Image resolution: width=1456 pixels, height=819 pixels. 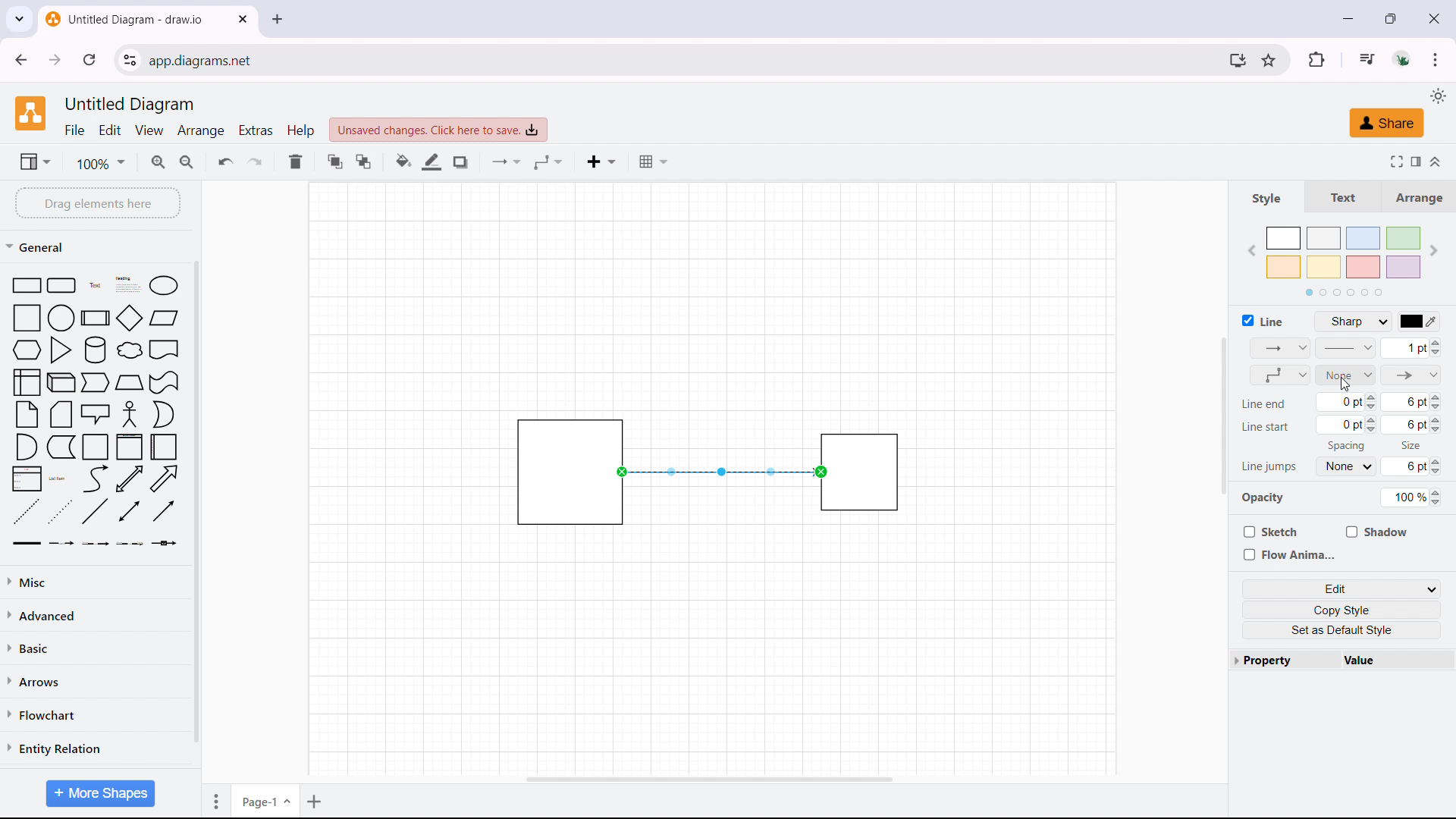 What do you see at coordinates (1268, 60) in the screenshot?
I see `bookmark this tab` at bounding box center [1268, 60].